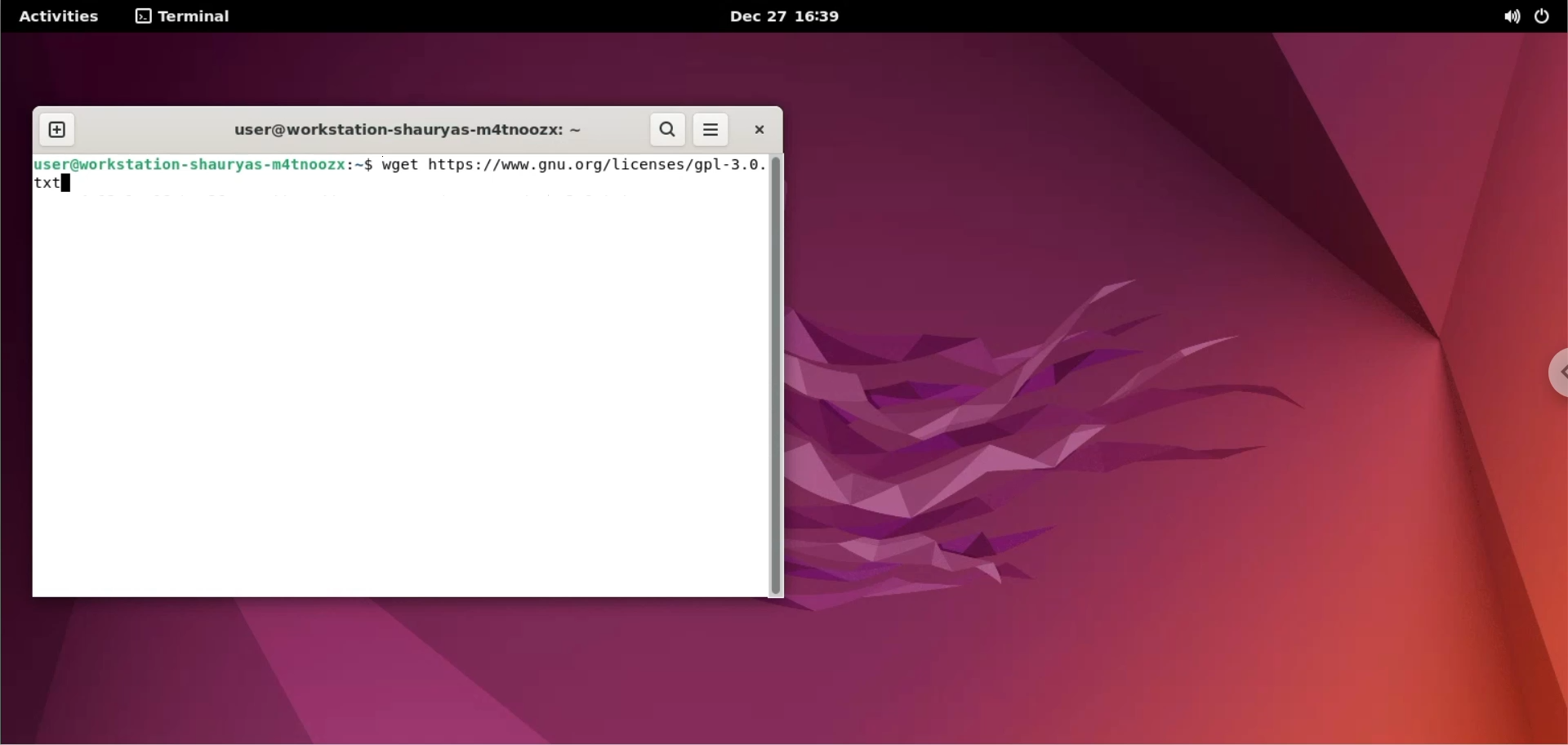  What do you see at coordinates (806, 17) in the screenshot?
I see `Dec 27 16:39` at bounding box center [806, 17].